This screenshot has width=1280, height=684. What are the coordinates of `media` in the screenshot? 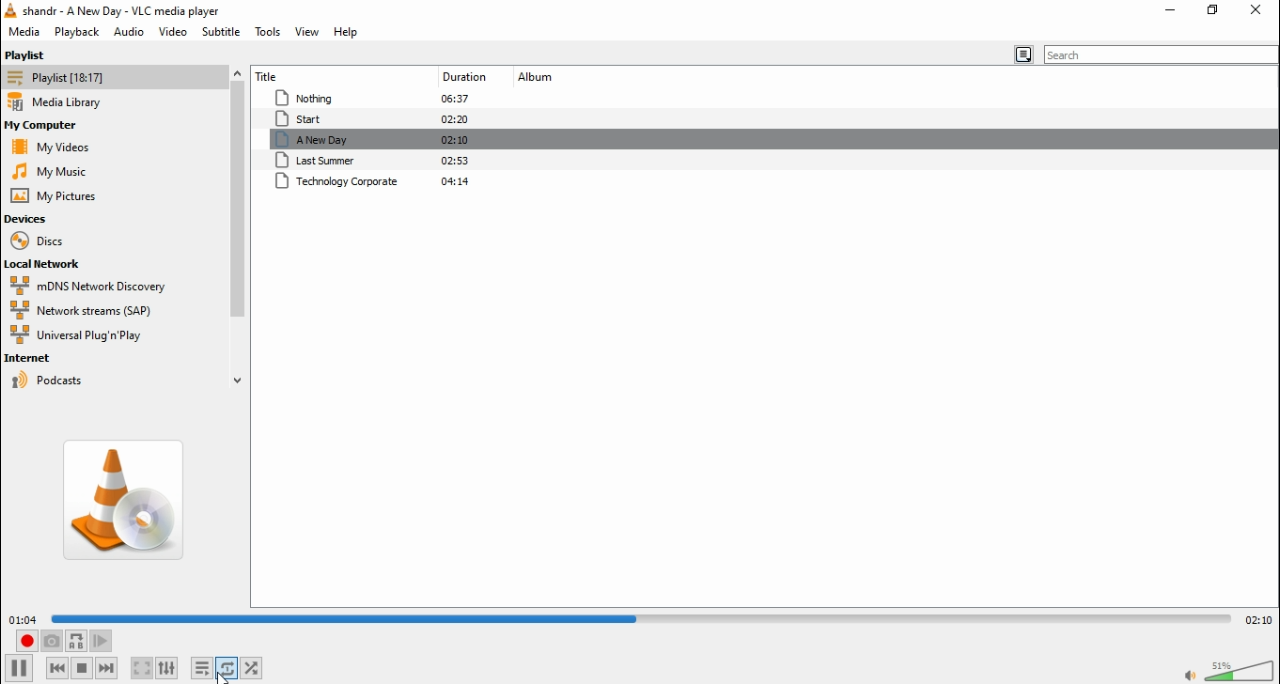 It's located at (22, 33).